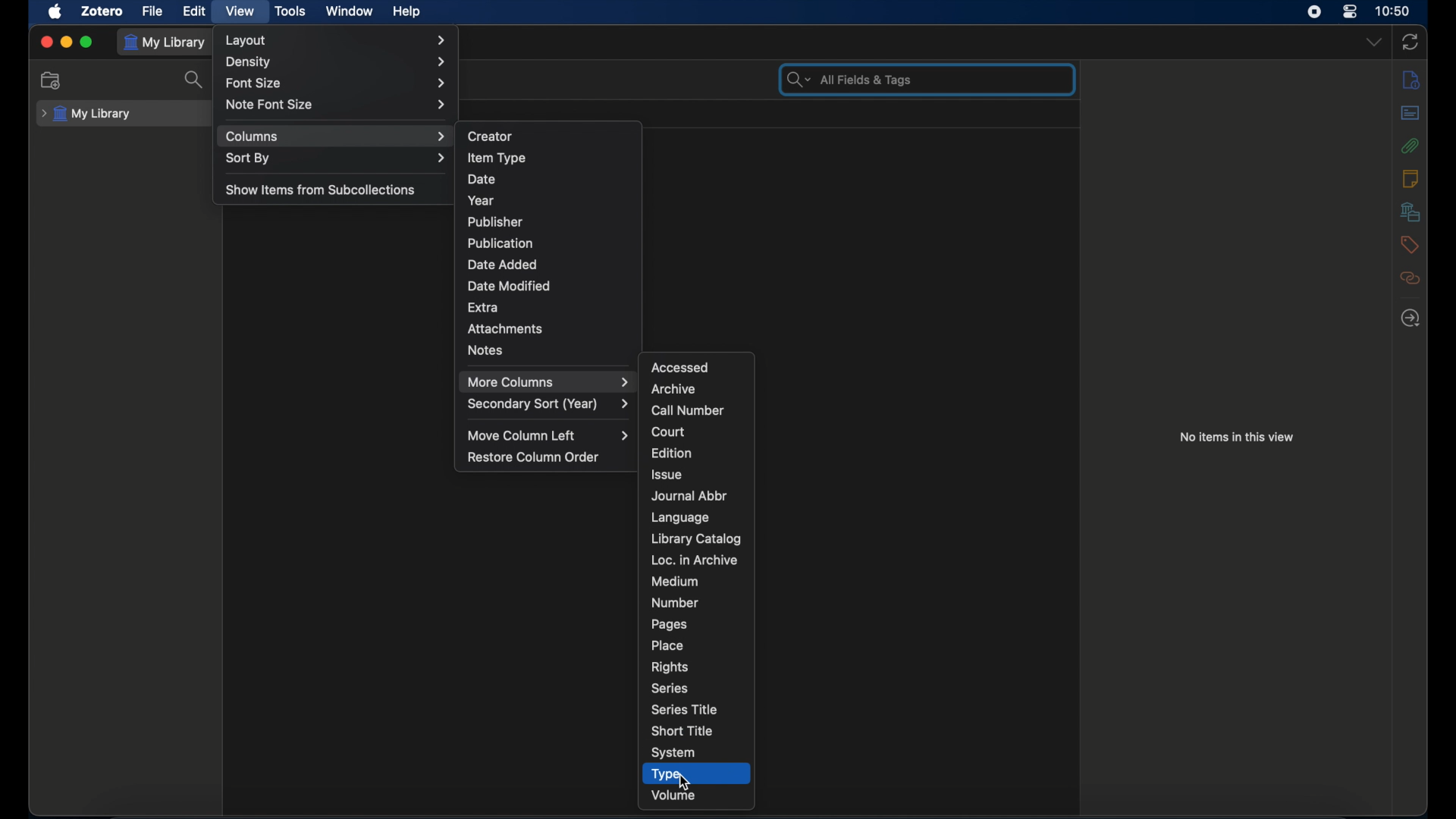 This screenshot has height=819, width=1456. Describe the element at coordinates (668, 431) in the screenshot. I see `court` at that location.